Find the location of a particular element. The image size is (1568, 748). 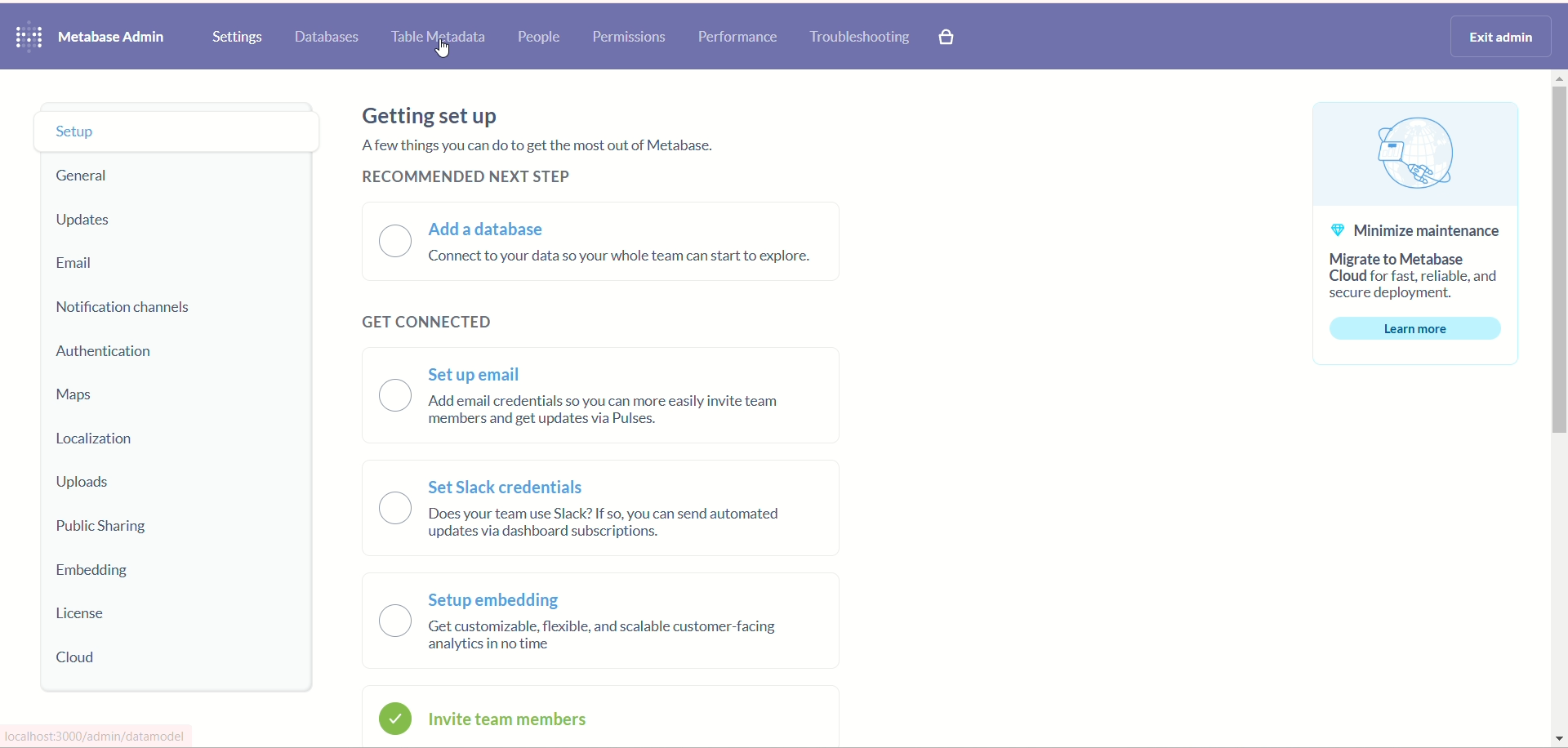

license is located at coordinates (89, 617).